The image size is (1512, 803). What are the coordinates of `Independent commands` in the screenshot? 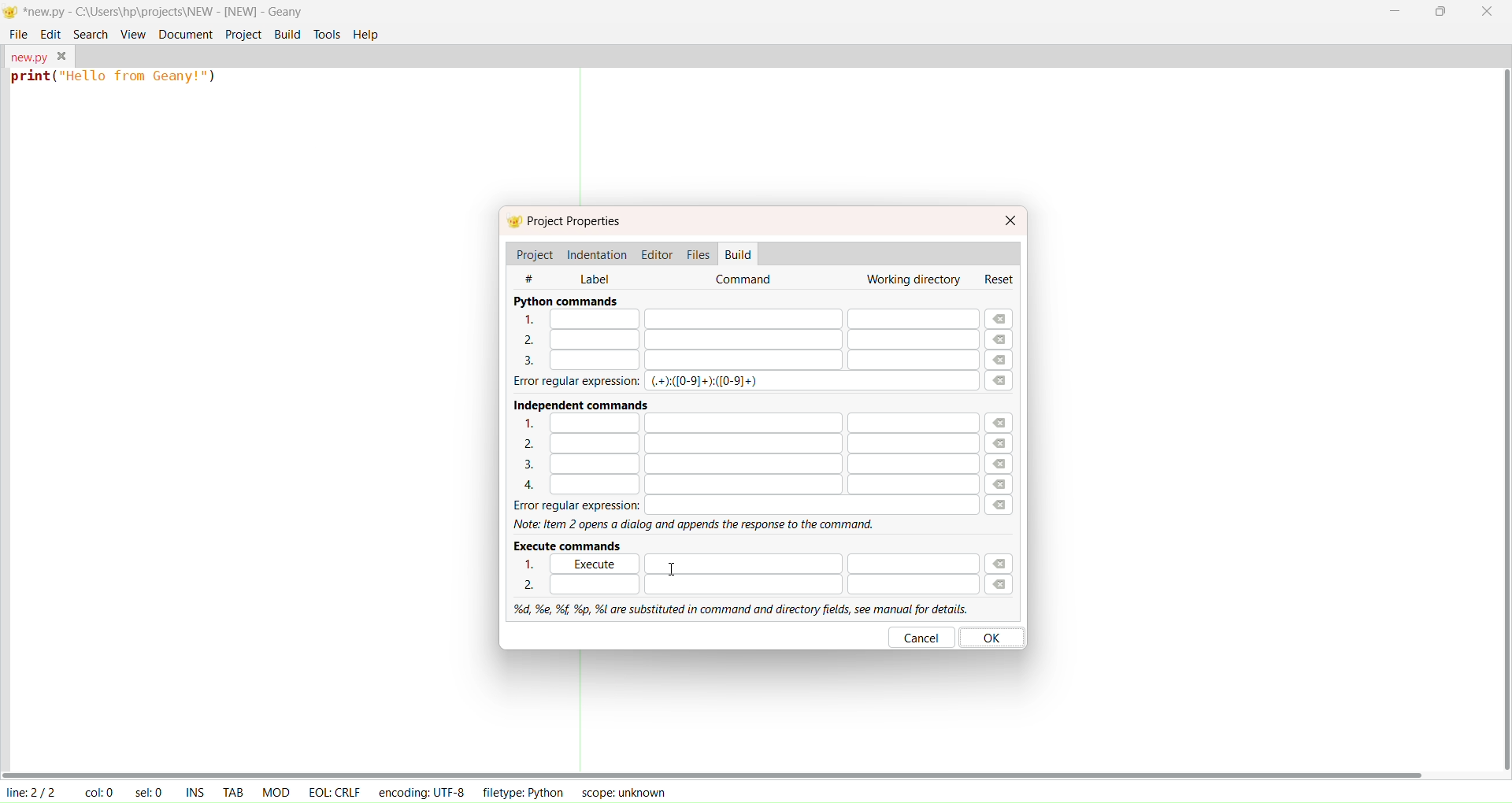 It's located at (574, 402).